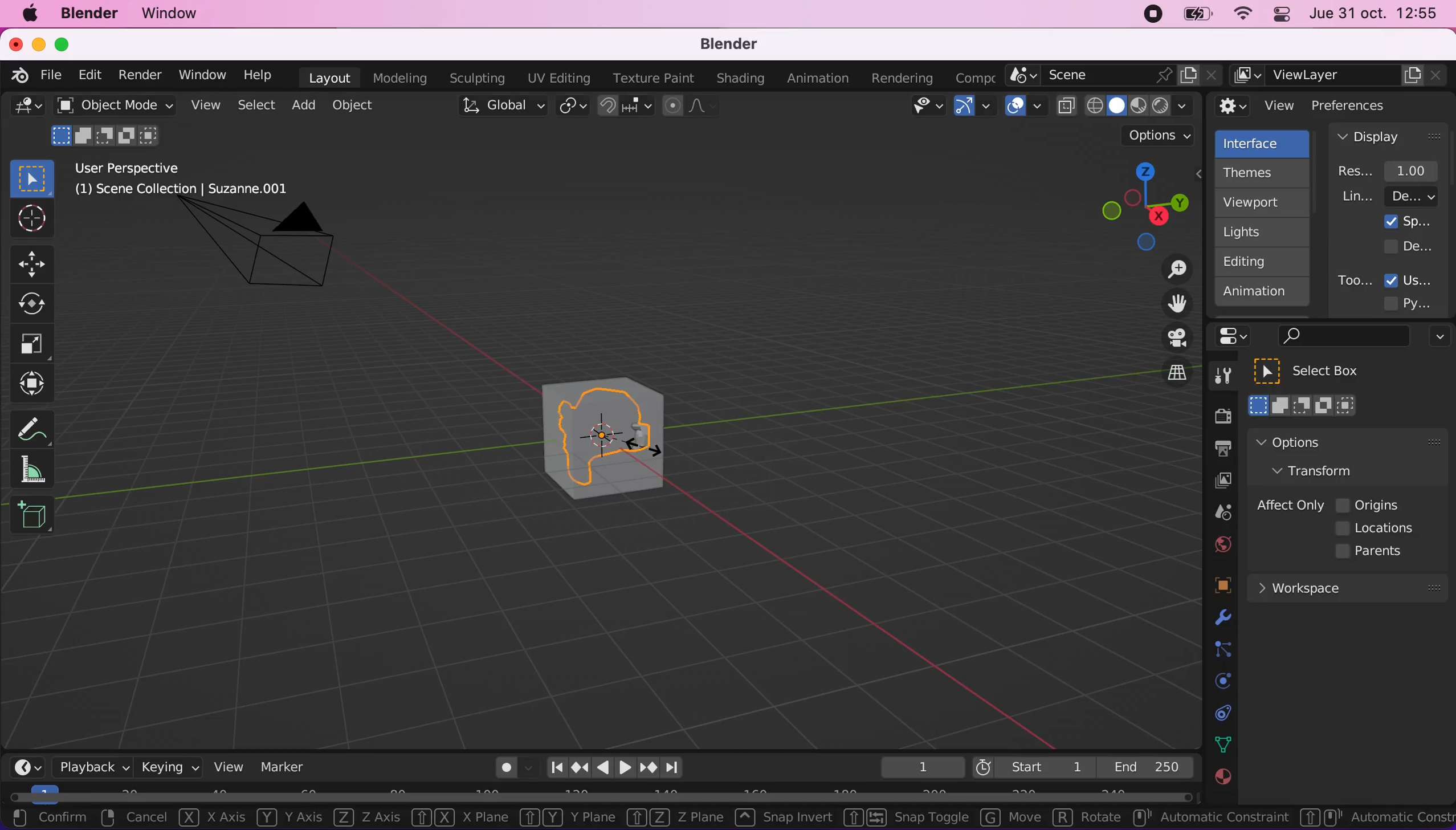 This screenshot has height=830, width=1456. Describe the element at coordinates (259, 74) in the screenshot. I see `help` at that location.